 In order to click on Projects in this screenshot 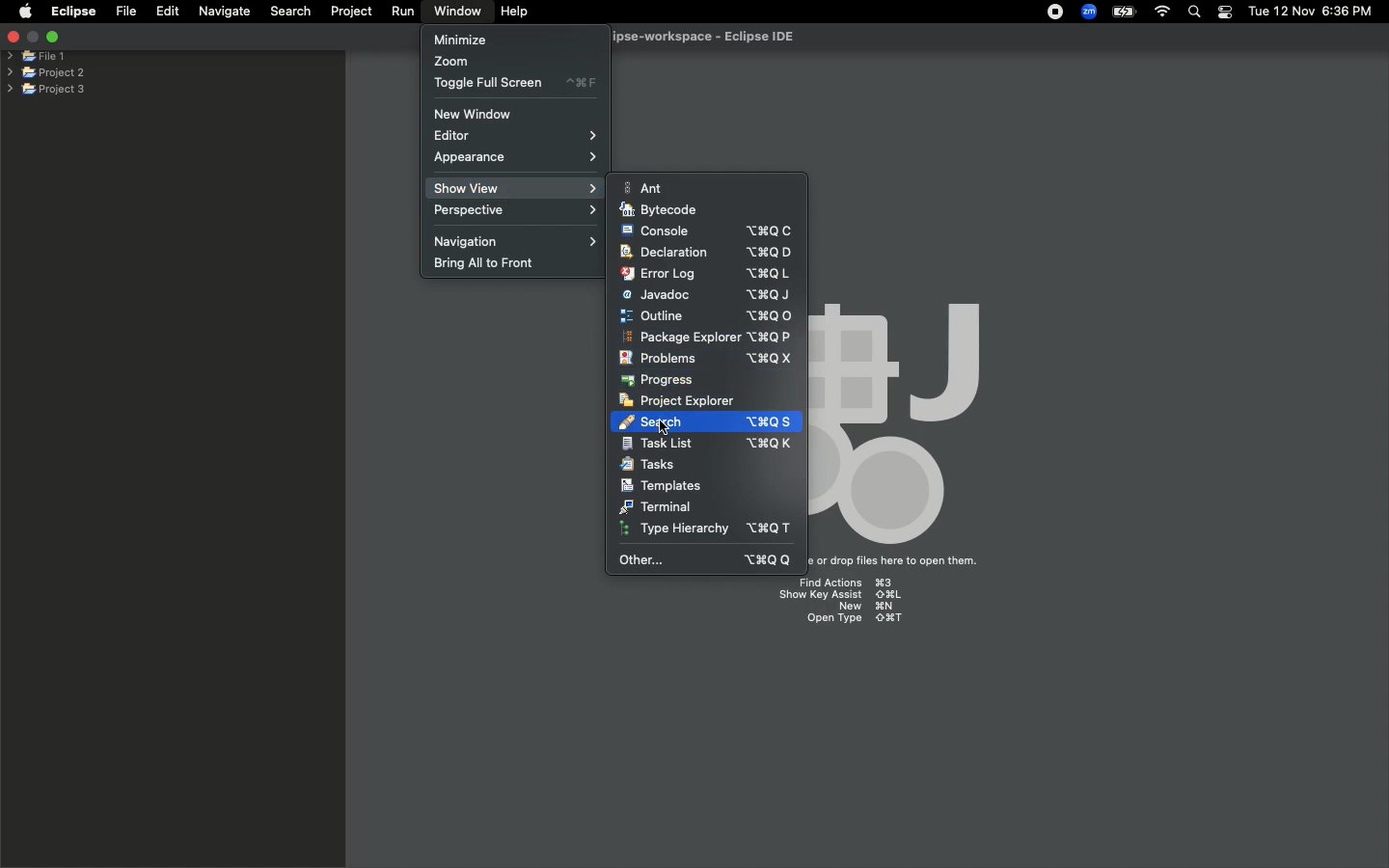, I will do `click(47, 70)`.